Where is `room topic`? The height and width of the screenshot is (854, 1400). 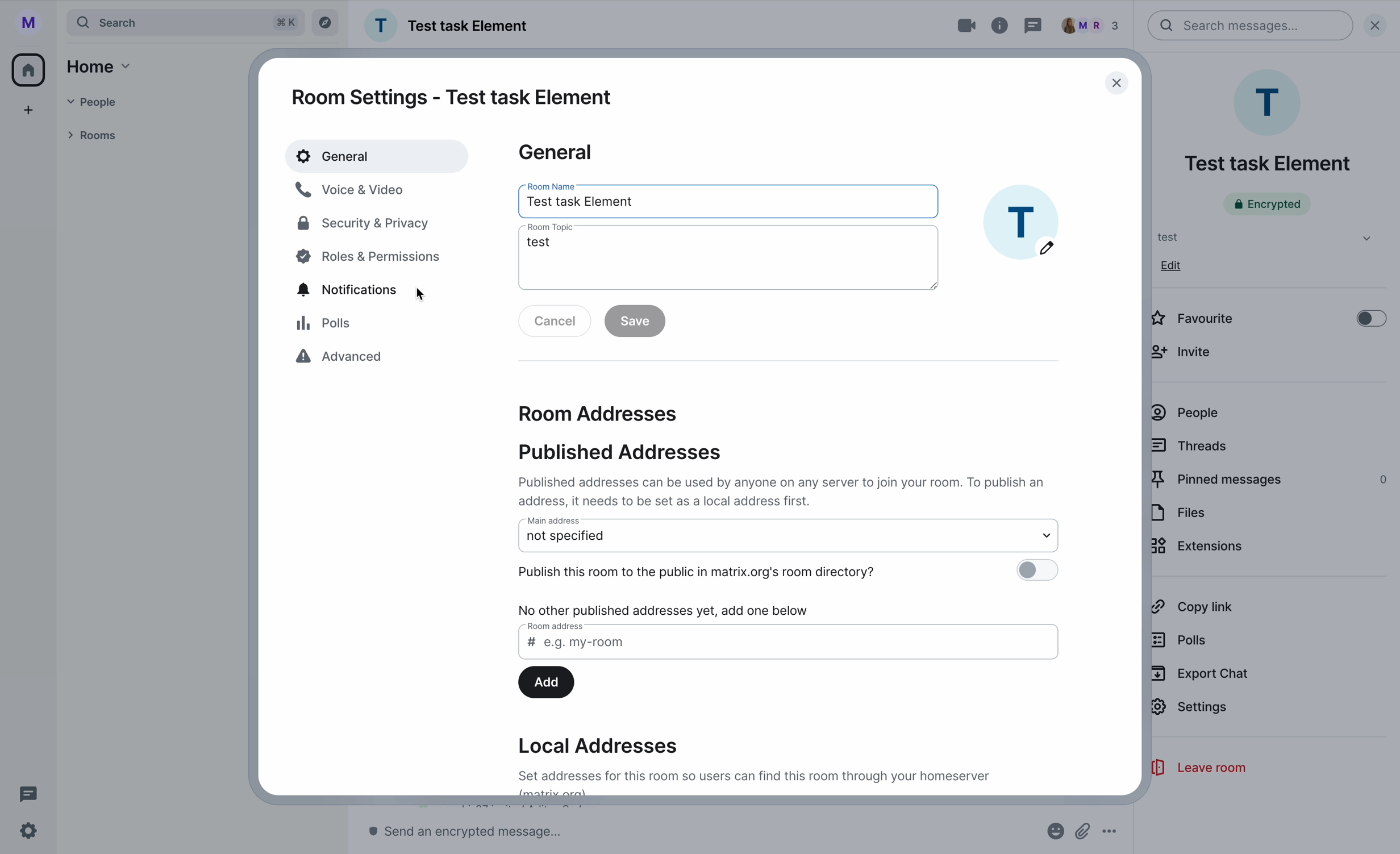 room topic is located at coordinates (730, 257).